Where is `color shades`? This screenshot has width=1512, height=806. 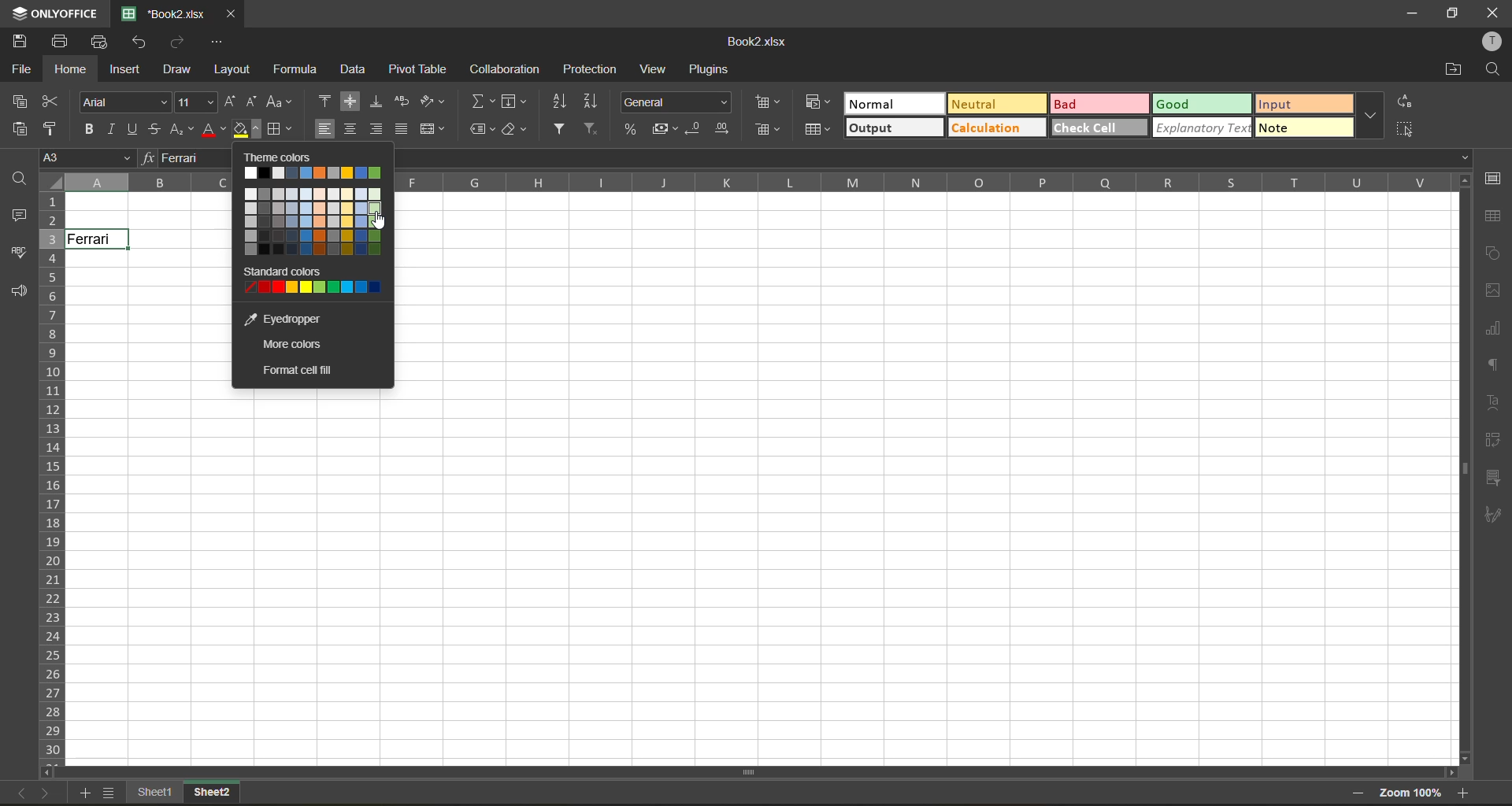 color shades is located at coordinates (316, 227).